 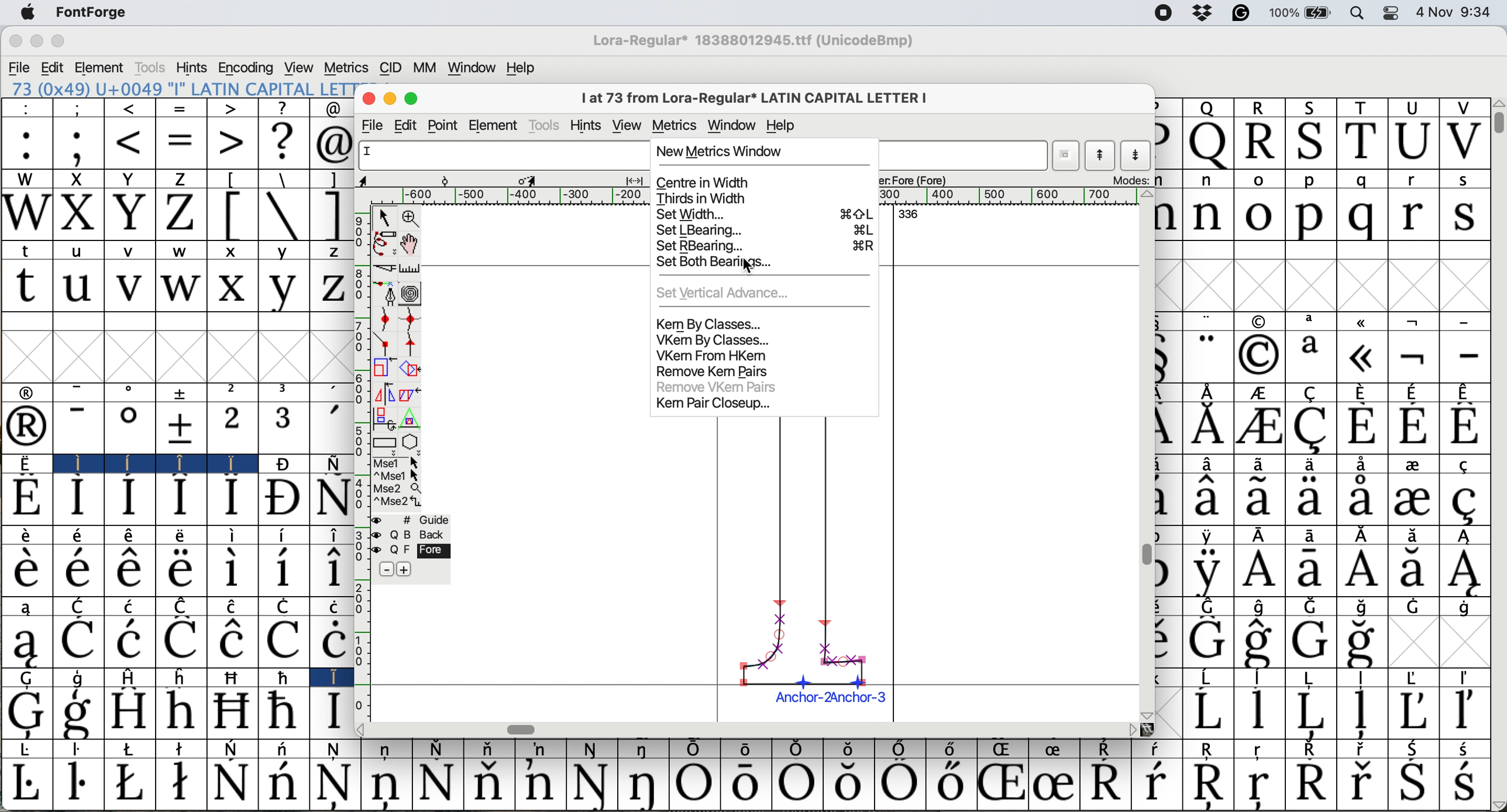 What do you see at coordinates (384, 417) in the screenshot?
I see `rotate the selection in 3d and project back to plane` at bounding box center [384, 417].